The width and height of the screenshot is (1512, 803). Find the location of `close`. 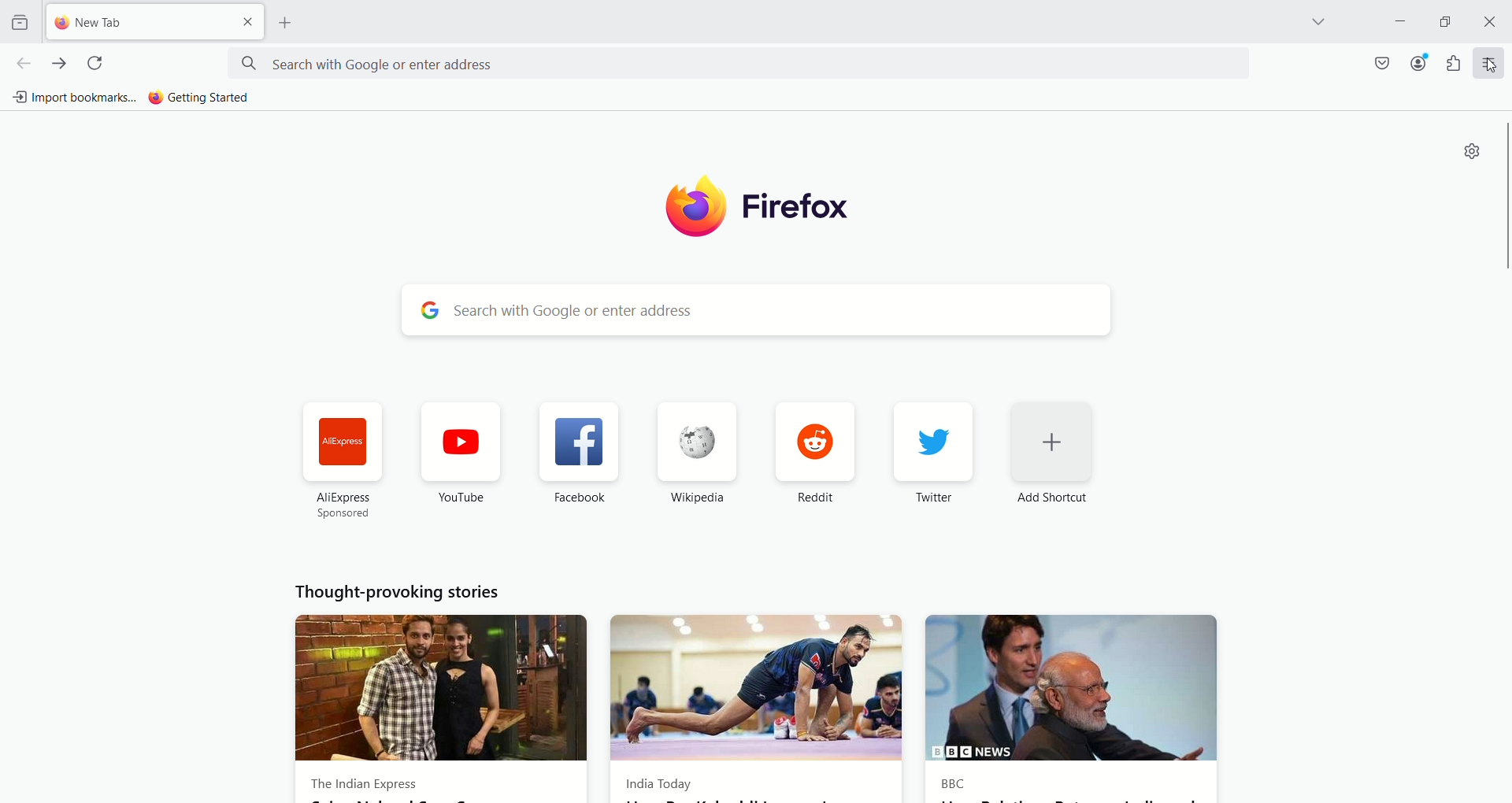

close is located at coordinates (1485, 22).